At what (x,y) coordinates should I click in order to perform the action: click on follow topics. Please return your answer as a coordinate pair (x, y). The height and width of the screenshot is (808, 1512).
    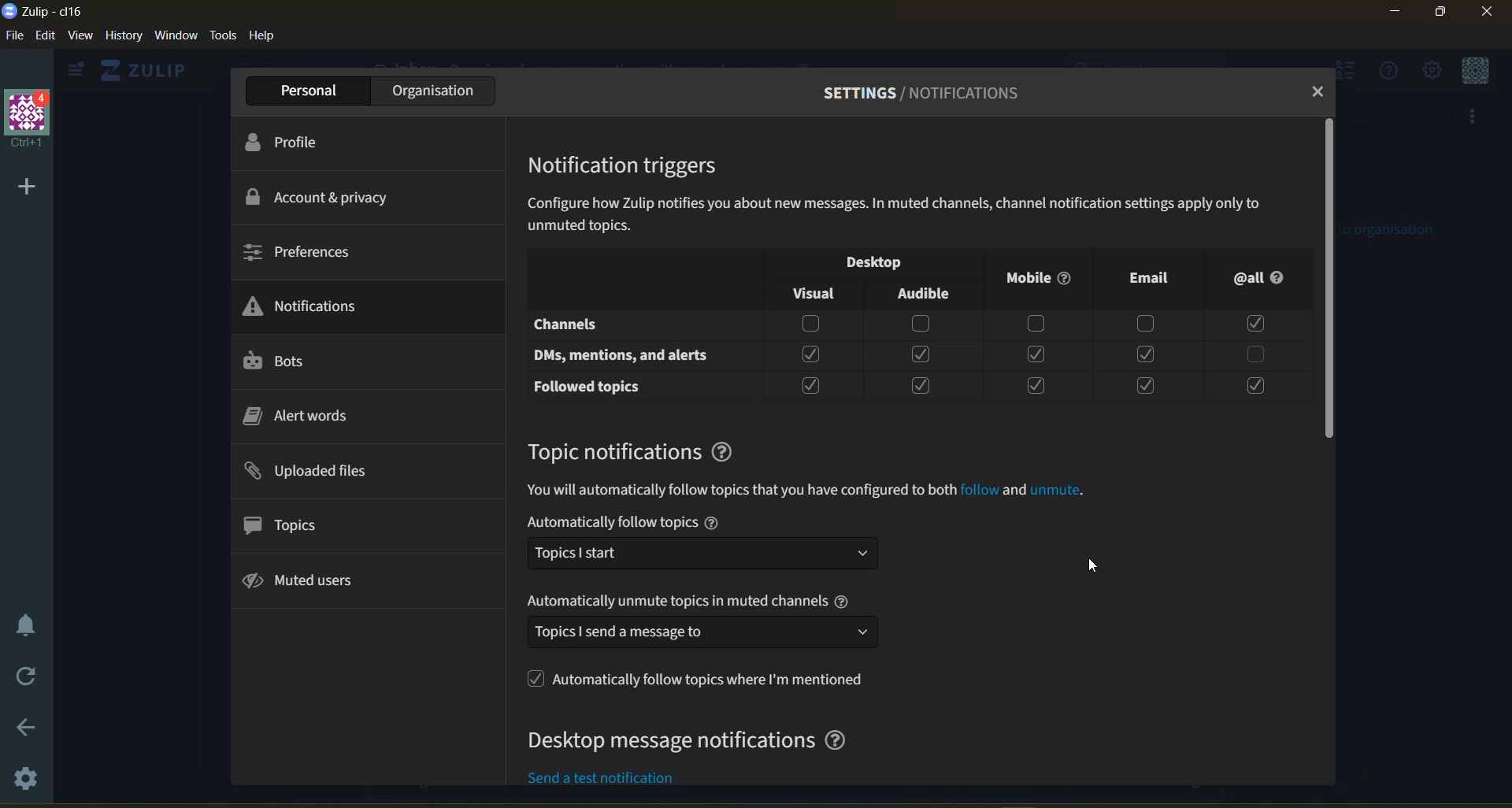
    Looking at the image, I should click on (695, 679).